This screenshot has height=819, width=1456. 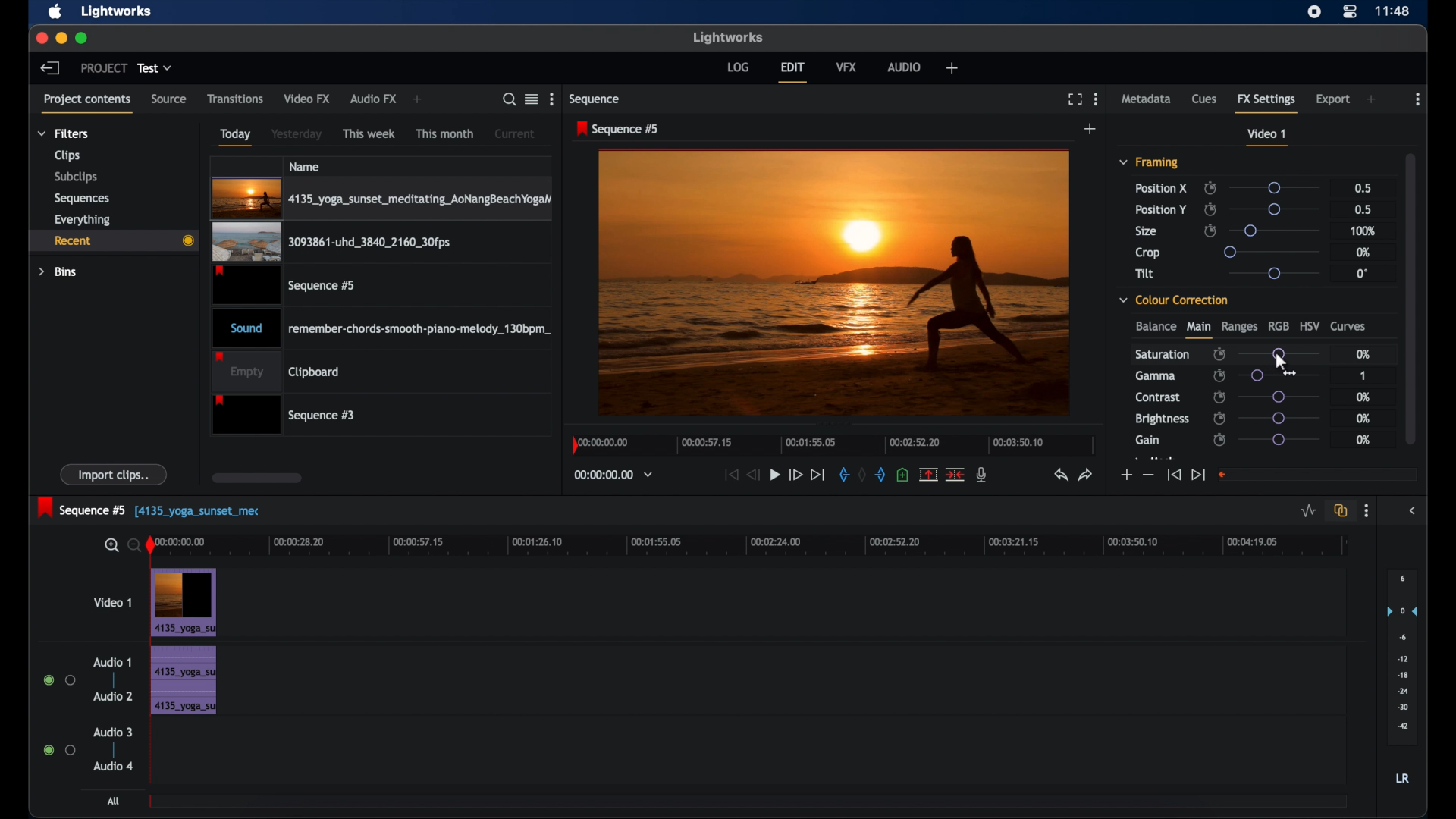 What do you see at coordinates (1318, 474) in the screenshot?
I see `empty field` at bounding box center [1318, 474].